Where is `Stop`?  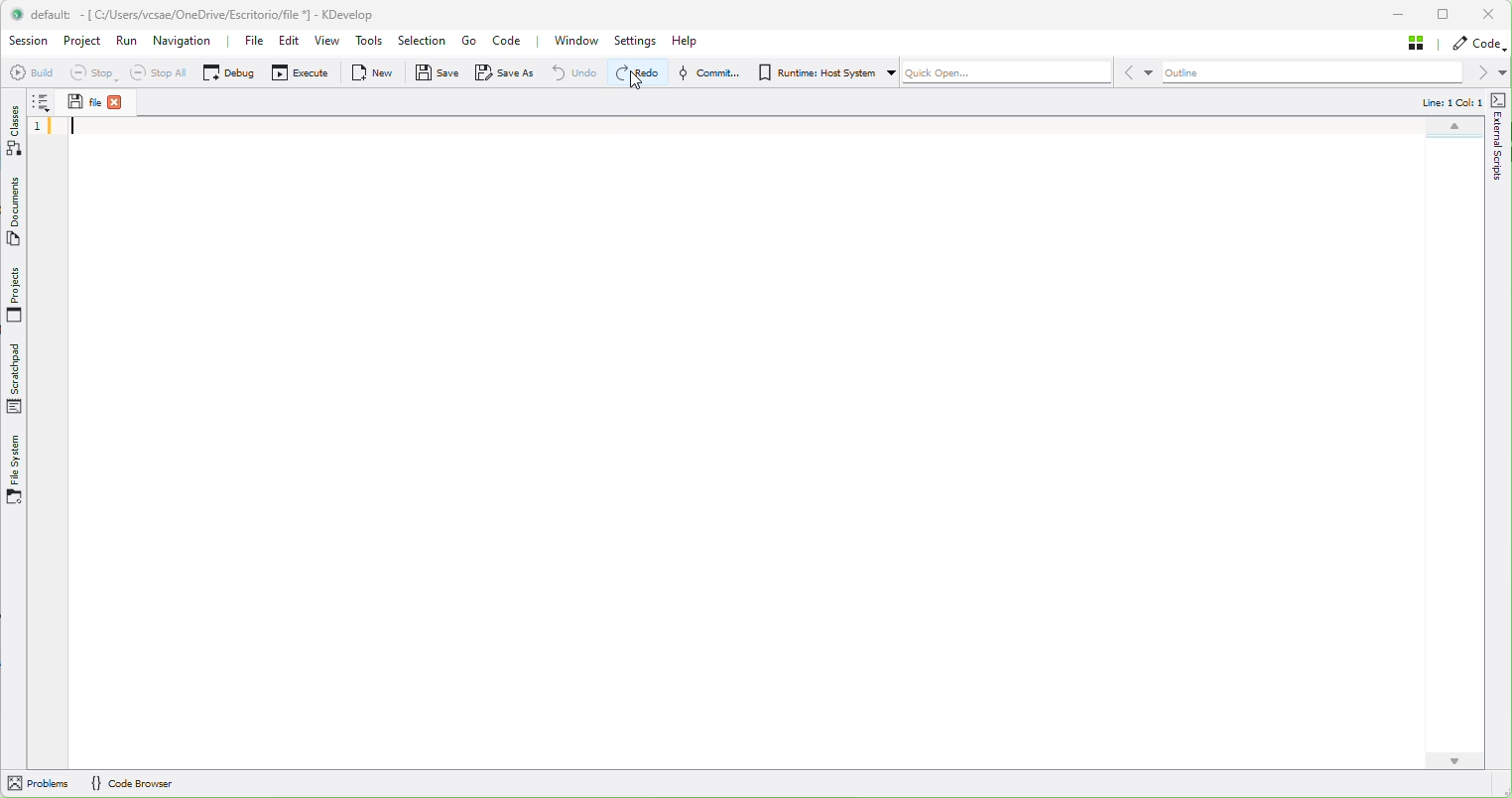 Stop is located at coordinates (103, 73).